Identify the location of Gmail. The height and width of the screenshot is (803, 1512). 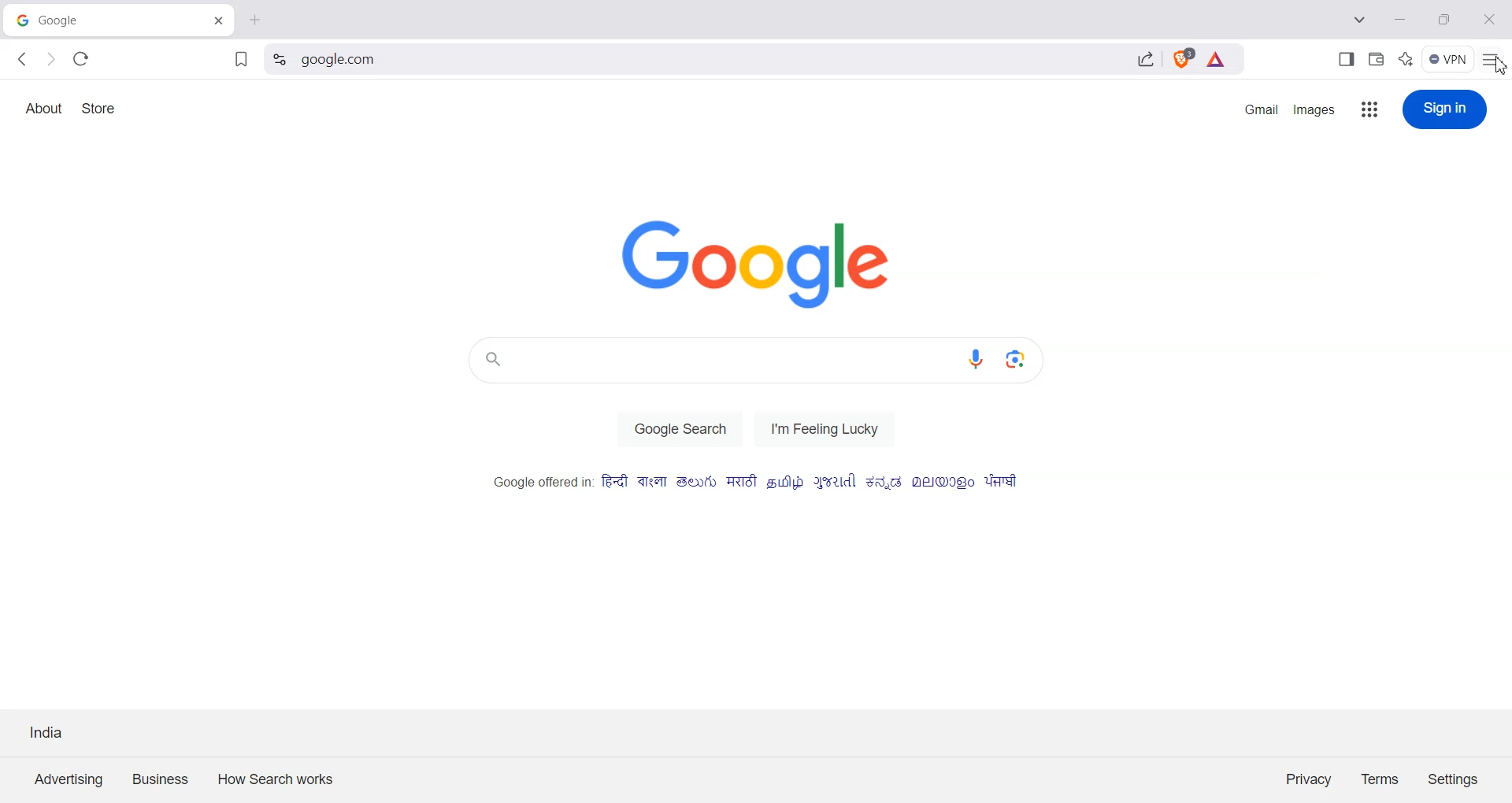
(1261, 109).